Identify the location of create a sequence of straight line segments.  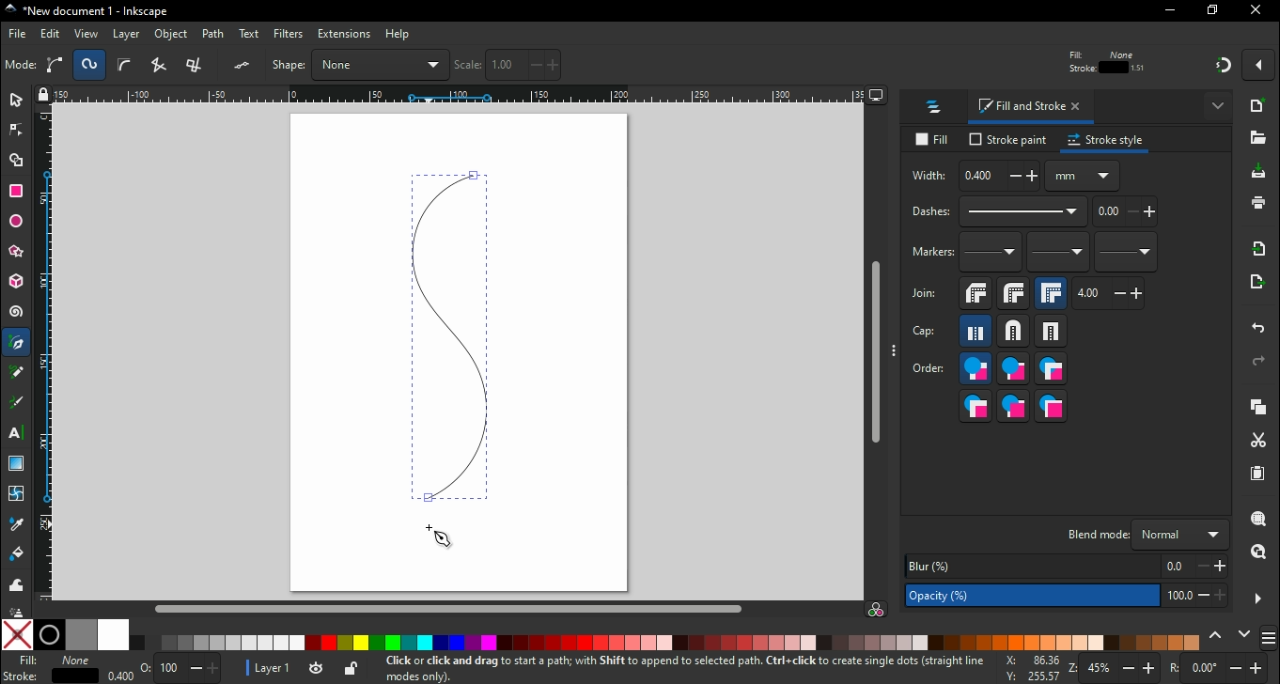
(162, 65).